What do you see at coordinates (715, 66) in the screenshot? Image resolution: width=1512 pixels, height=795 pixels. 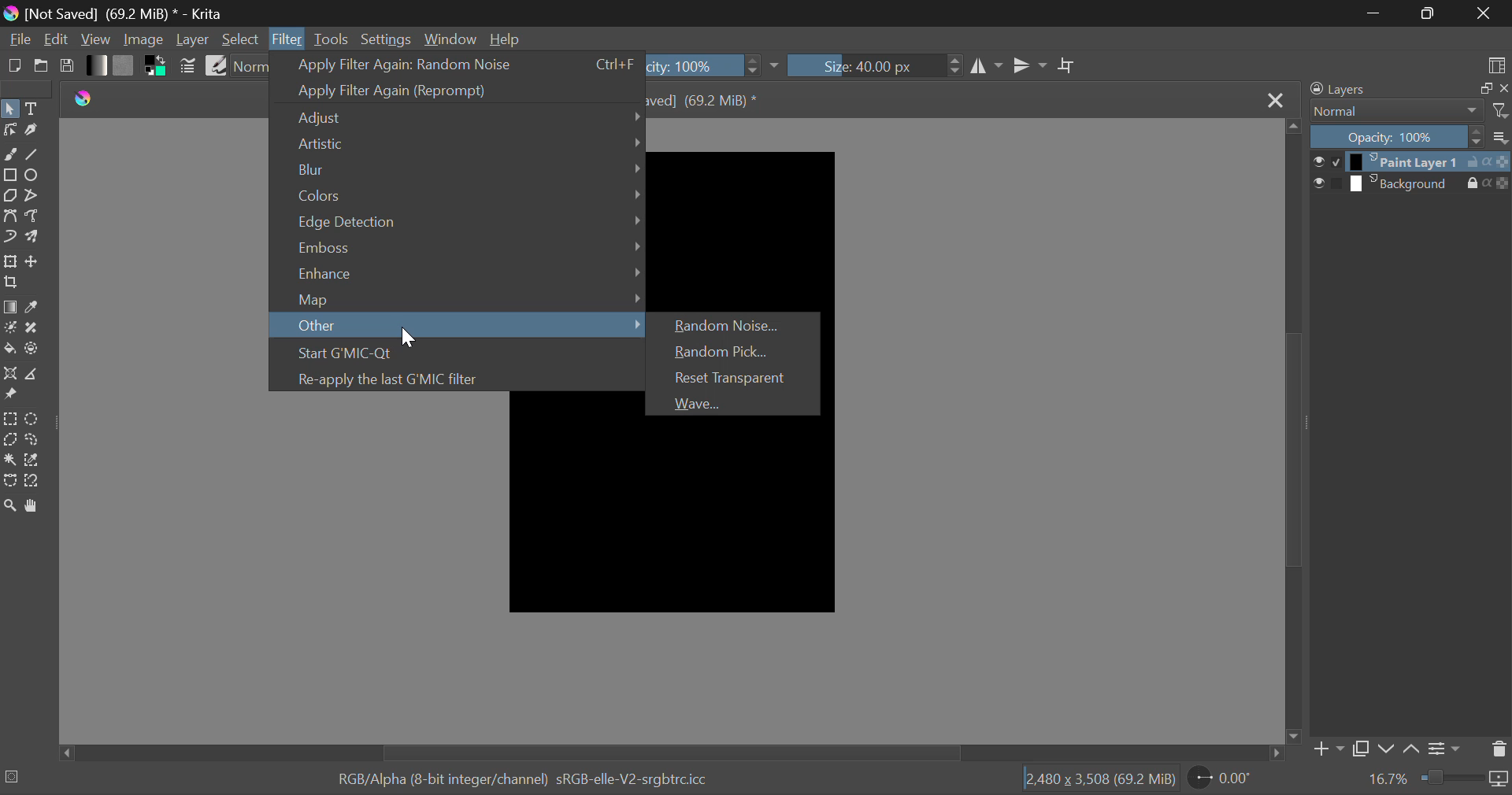 I see `Opacity` at bounding box center [715, 66].